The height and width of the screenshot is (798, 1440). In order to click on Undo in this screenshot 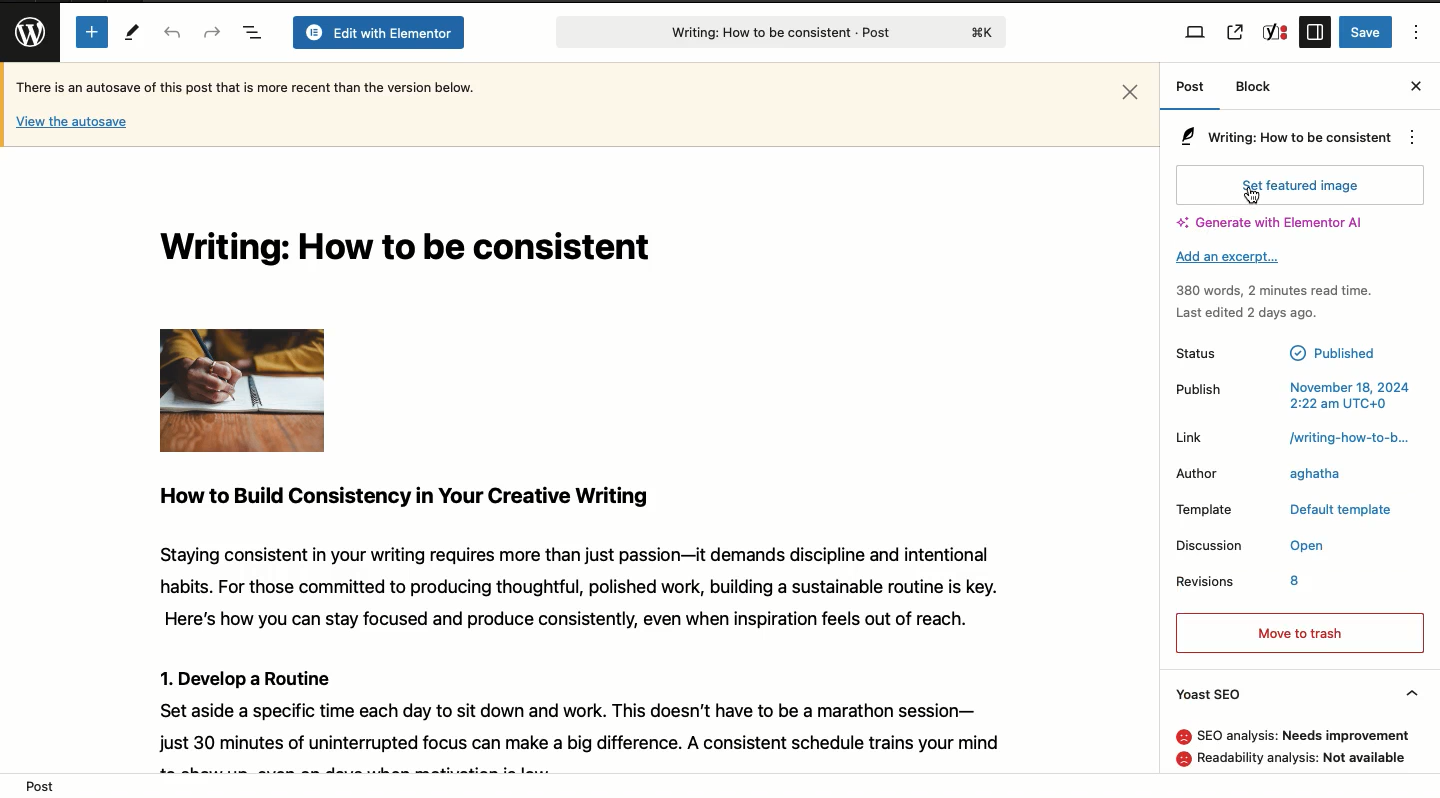, I will do `click(172, 34)`.